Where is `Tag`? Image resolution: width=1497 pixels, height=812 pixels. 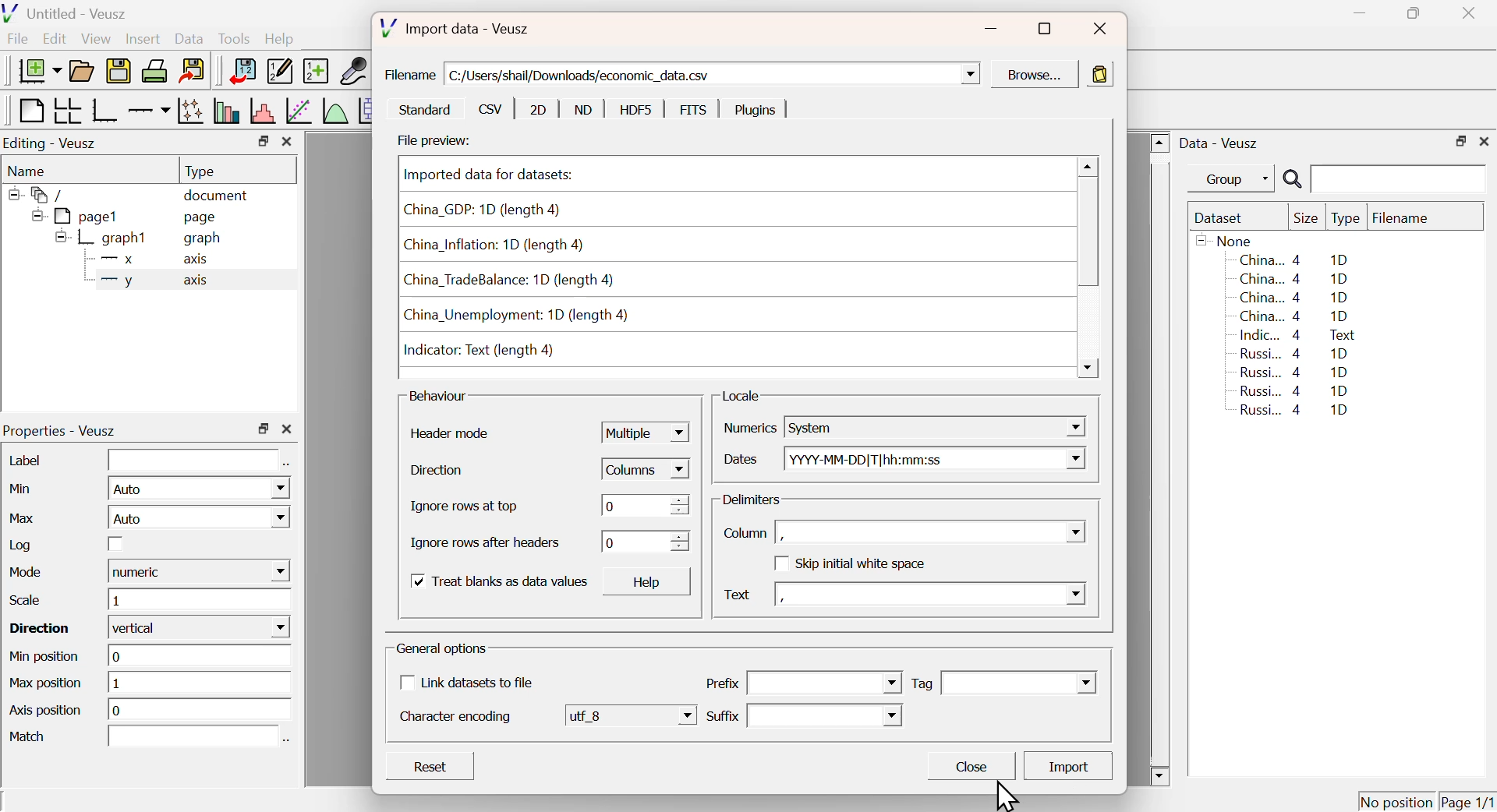
Tag is located at coordinates (921, 684).